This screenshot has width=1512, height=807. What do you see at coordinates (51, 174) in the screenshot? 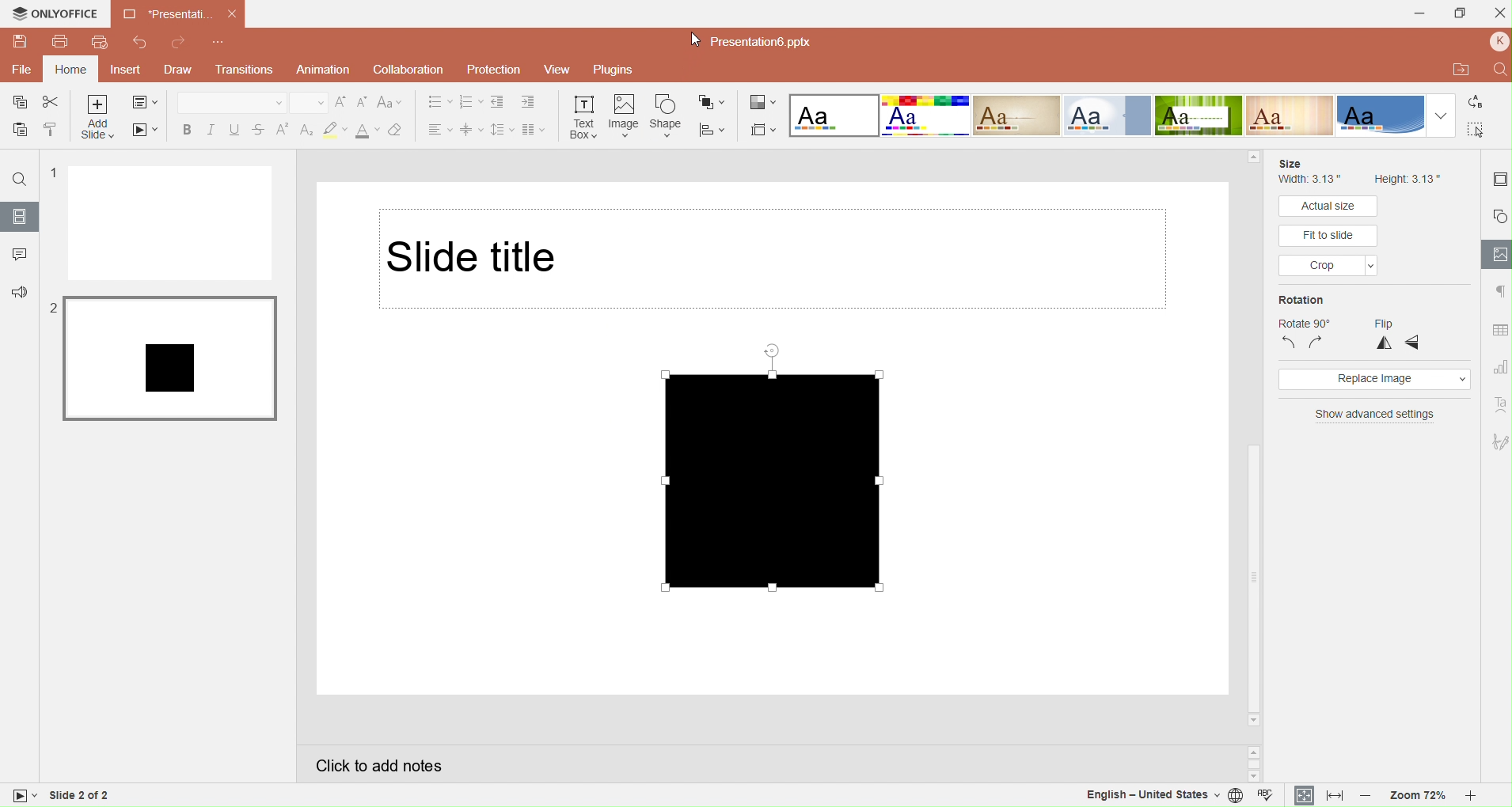
I see `1` at bounding box center [51, 174].